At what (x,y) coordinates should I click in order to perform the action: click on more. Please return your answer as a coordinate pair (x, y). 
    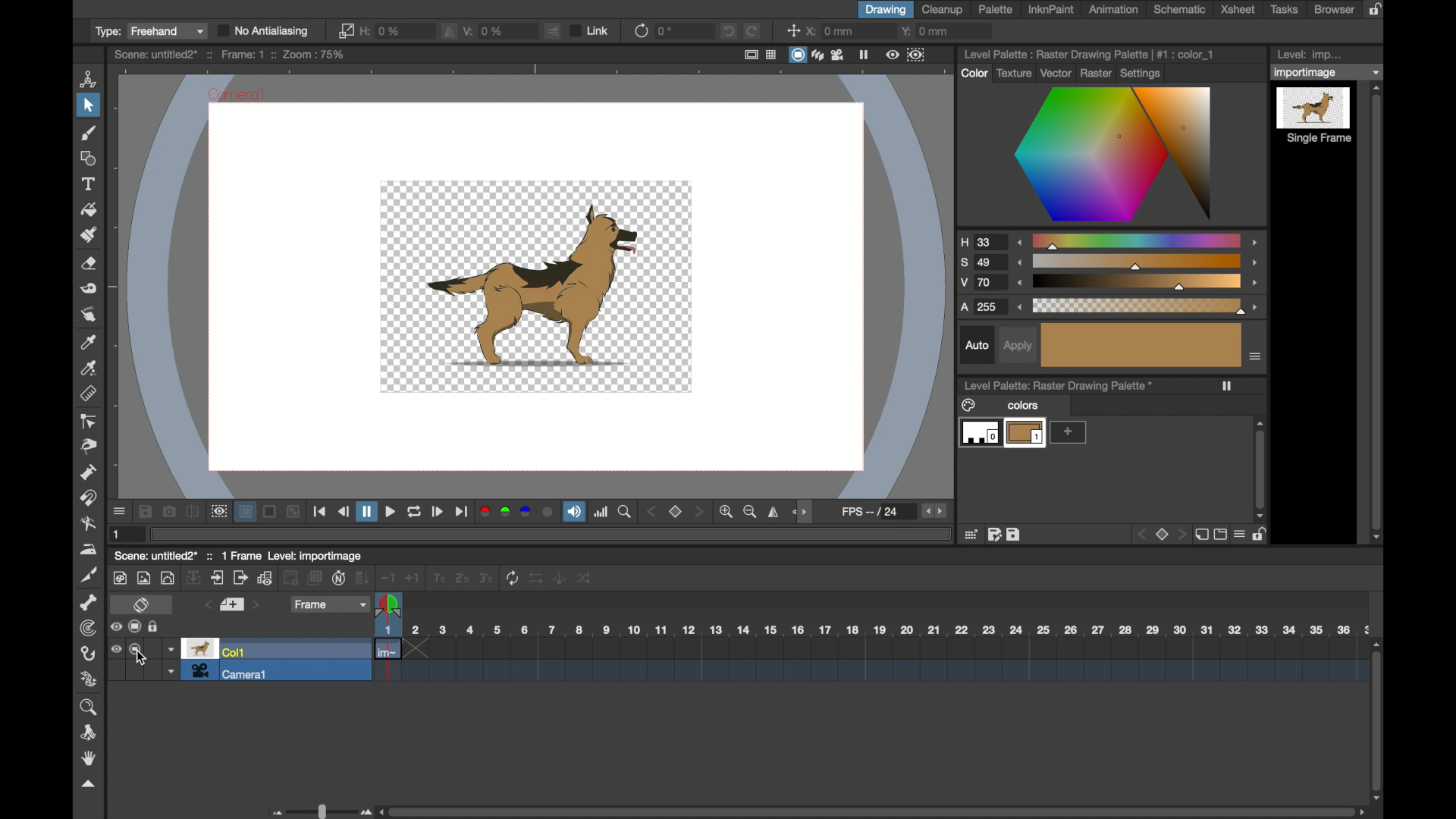
    Looking at the image, I should click on (1068, 432).